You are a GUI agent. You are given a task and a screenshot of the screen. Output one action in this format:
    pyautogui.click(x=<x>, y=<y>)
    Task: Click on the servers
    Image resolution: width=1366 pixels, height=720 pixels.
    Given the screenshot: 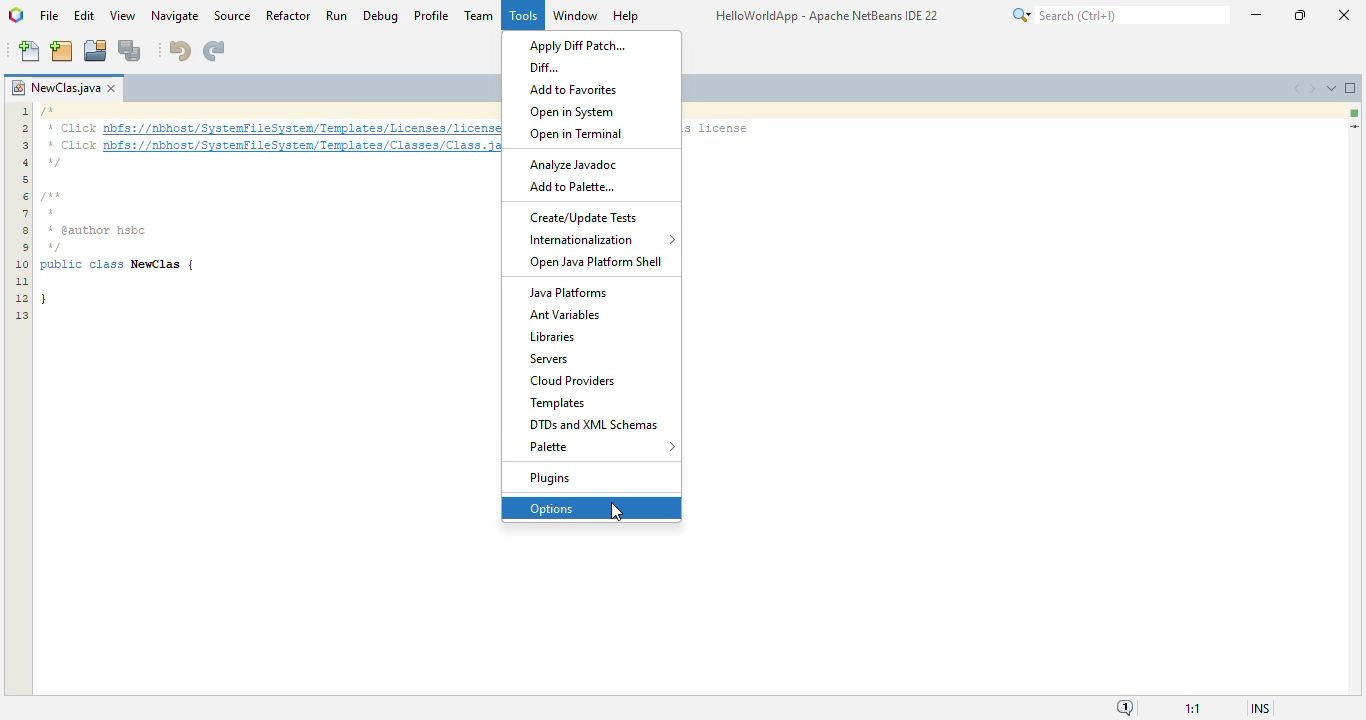 What is the action you would take?
    pyautogui.click(x=548, y=359)
    